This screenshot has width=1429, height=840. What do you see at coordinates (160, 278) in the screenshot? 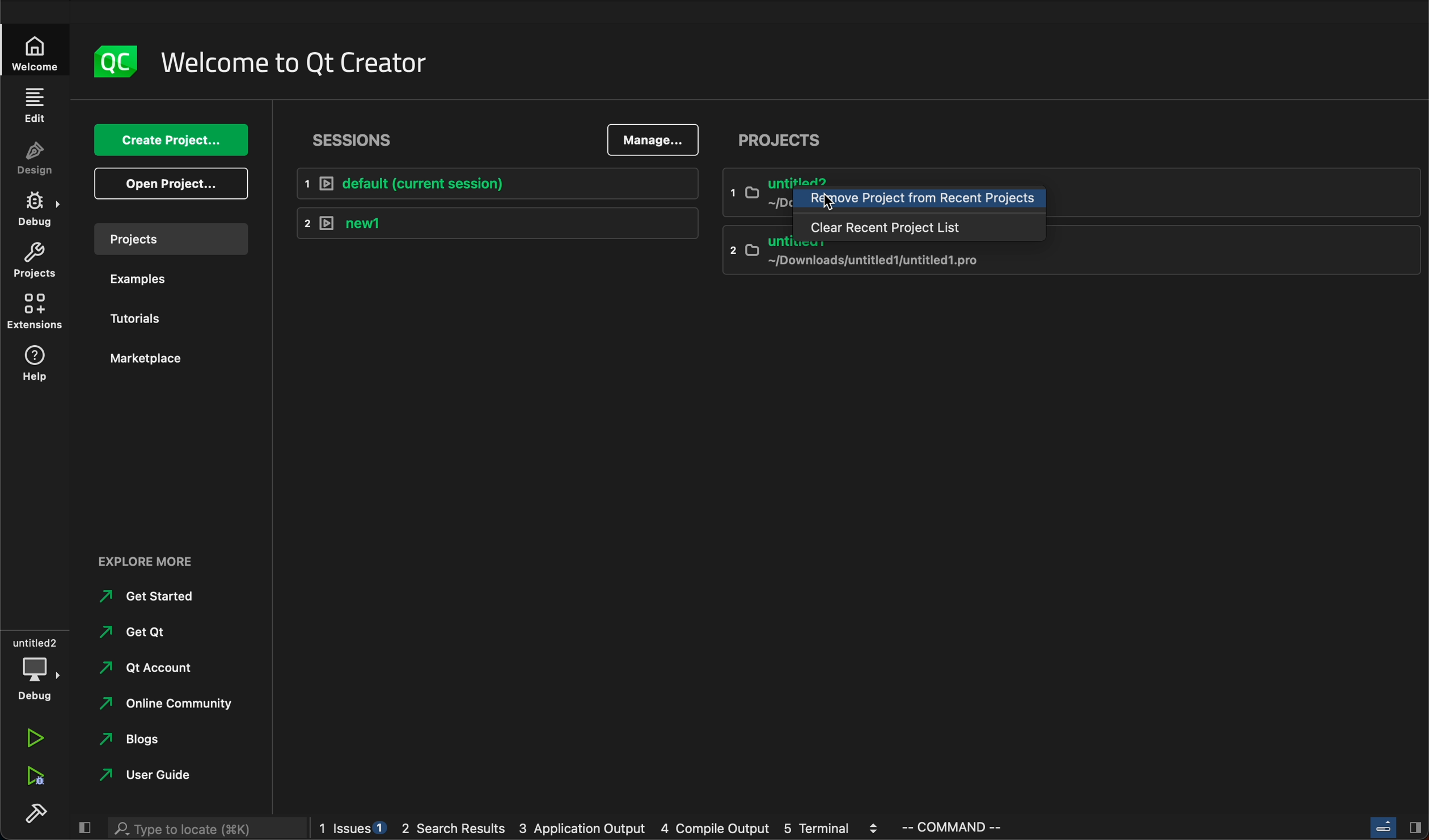
I see `examples` at bounding box center [160, 278].